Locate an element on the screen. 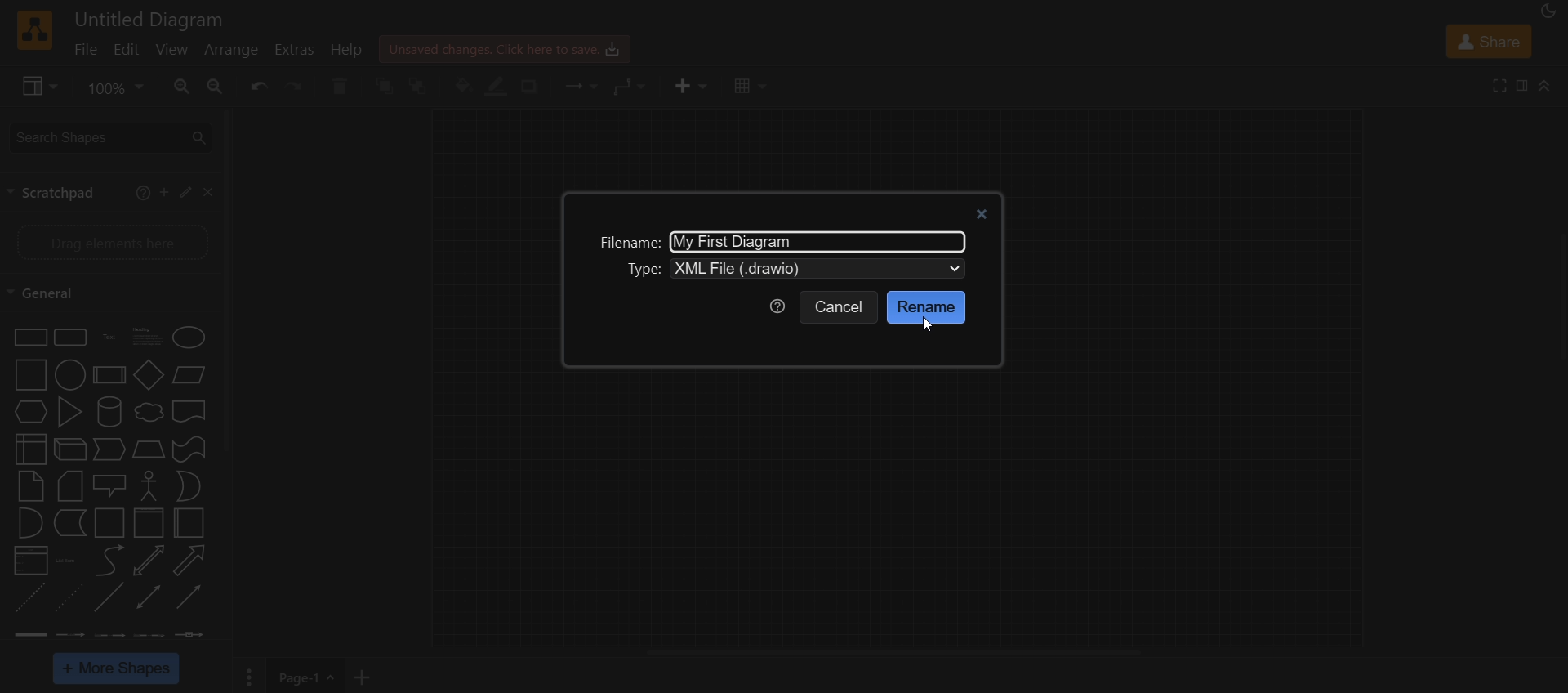 The height and width of the screenshot is (693, 1568). edit is located at coordinates (185, 191).